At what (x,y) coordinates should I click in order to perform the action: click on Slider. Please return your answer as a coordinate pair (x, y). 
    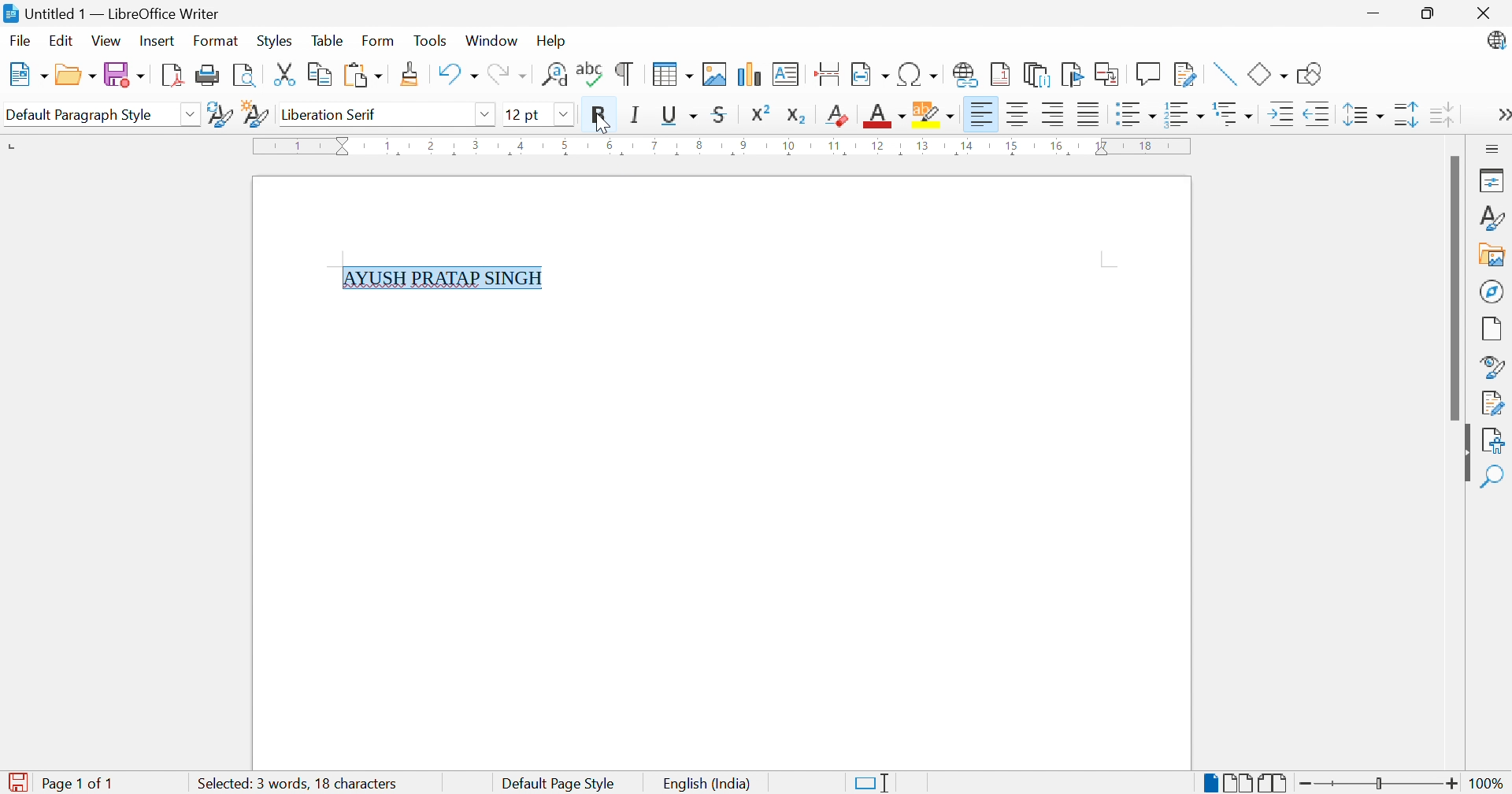
    Looking at the image, I should click on (1380, 784).